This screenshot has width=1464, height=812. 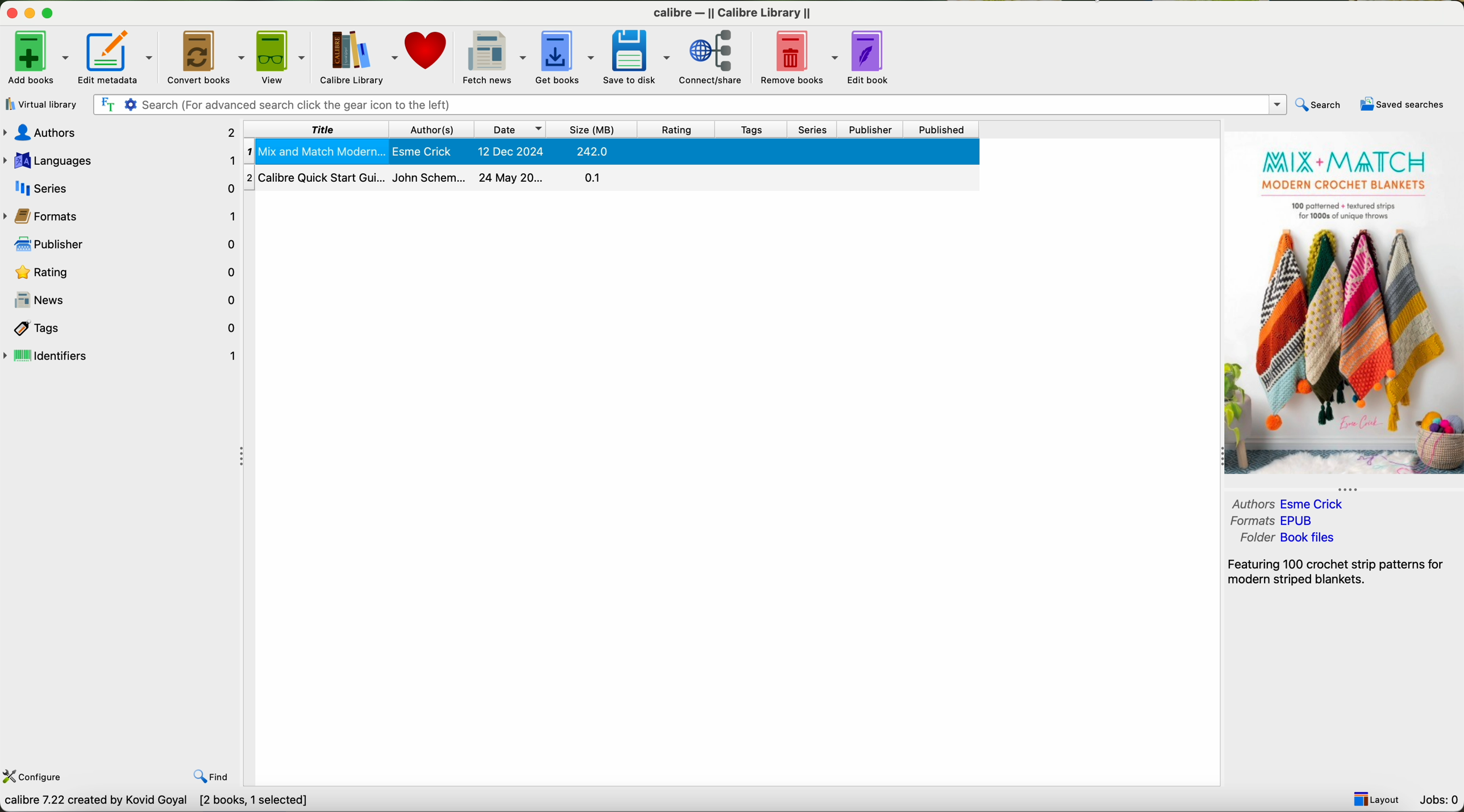 What do you see at coordinates (749, 130) in the screenshot?
I see `tags` at bounding box center [749, 130].